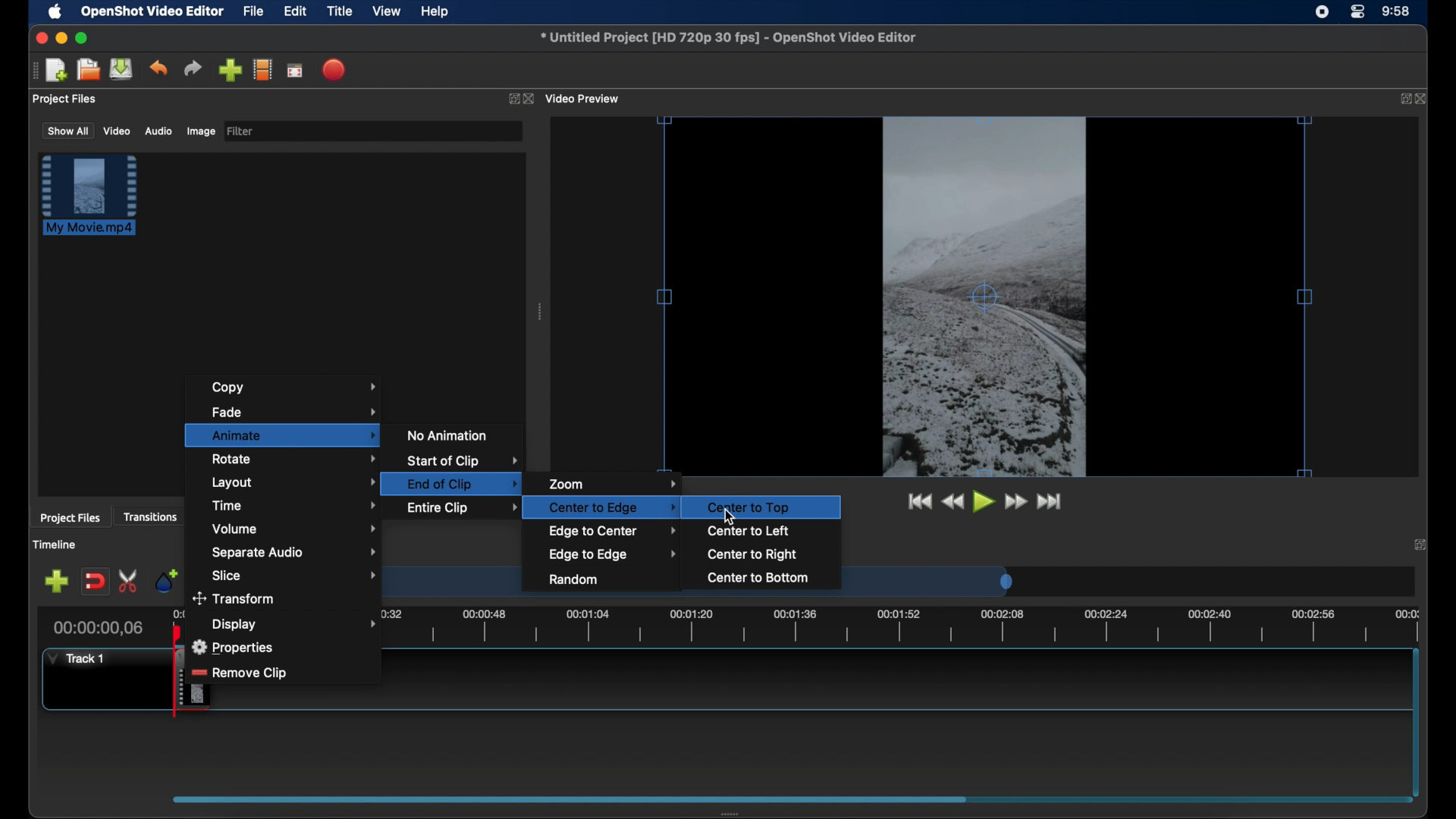 This screenshot has height=819, width=1456. I want to click on properties, so click(236, 645).